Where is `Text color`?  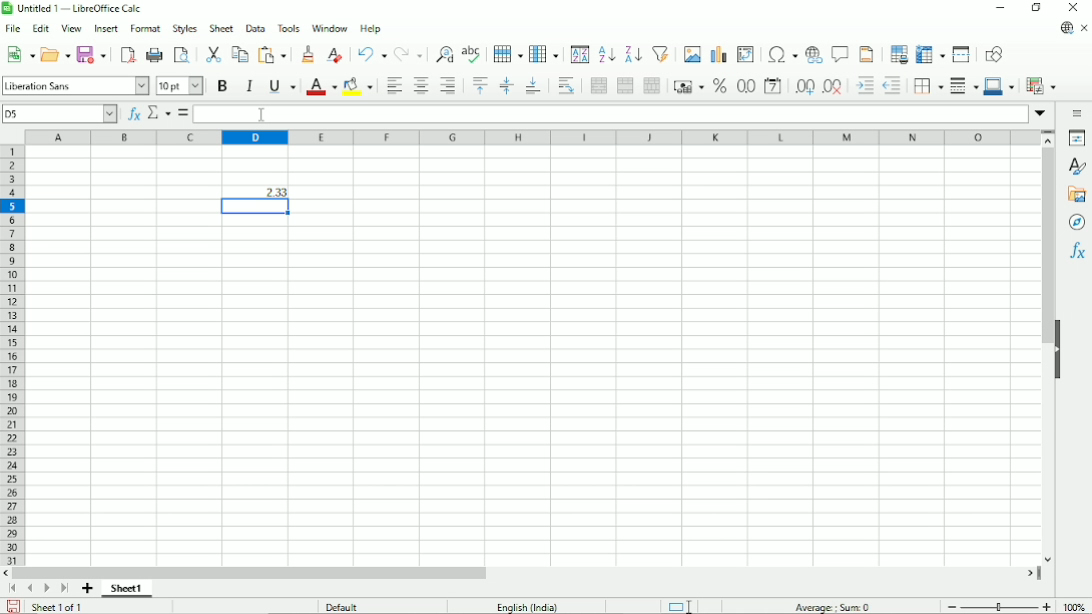 Text color is located at coordinates (323, 86).